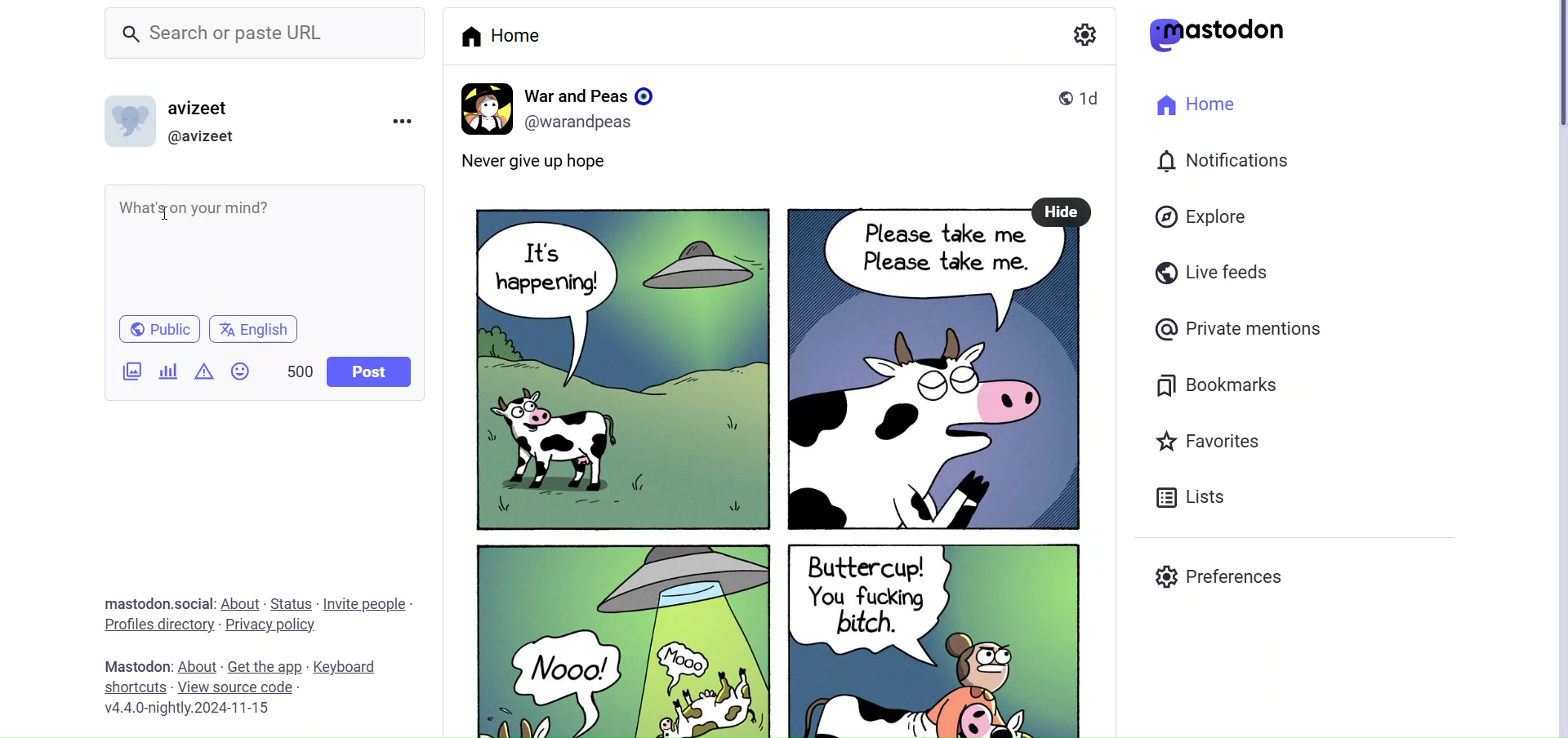 The image size is (1568, 738). Describe the element at coordinates (1190, 498) in the screenshot. I see `Lists` at that location.